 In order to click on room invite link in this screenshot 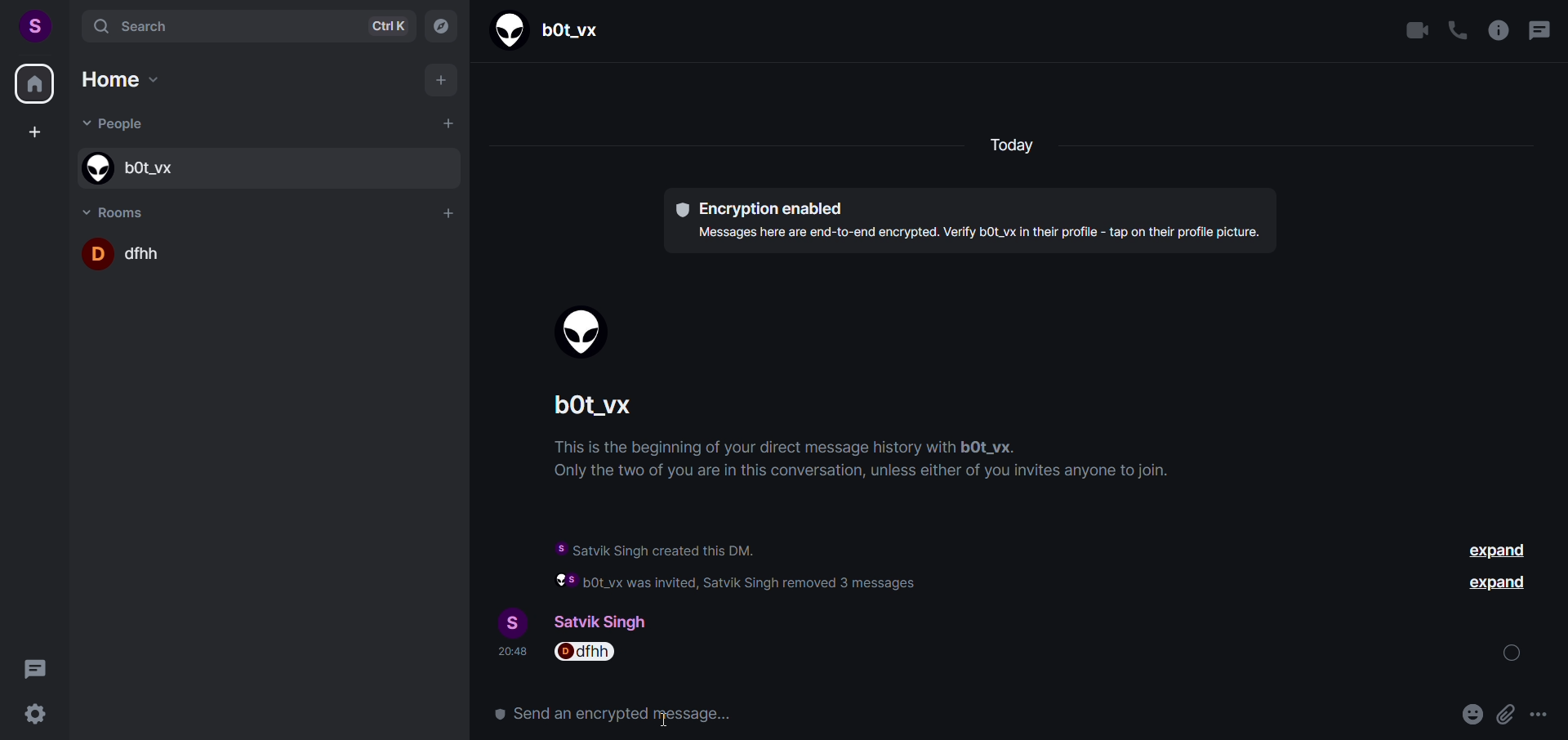, I will do `click(760, 714)`.